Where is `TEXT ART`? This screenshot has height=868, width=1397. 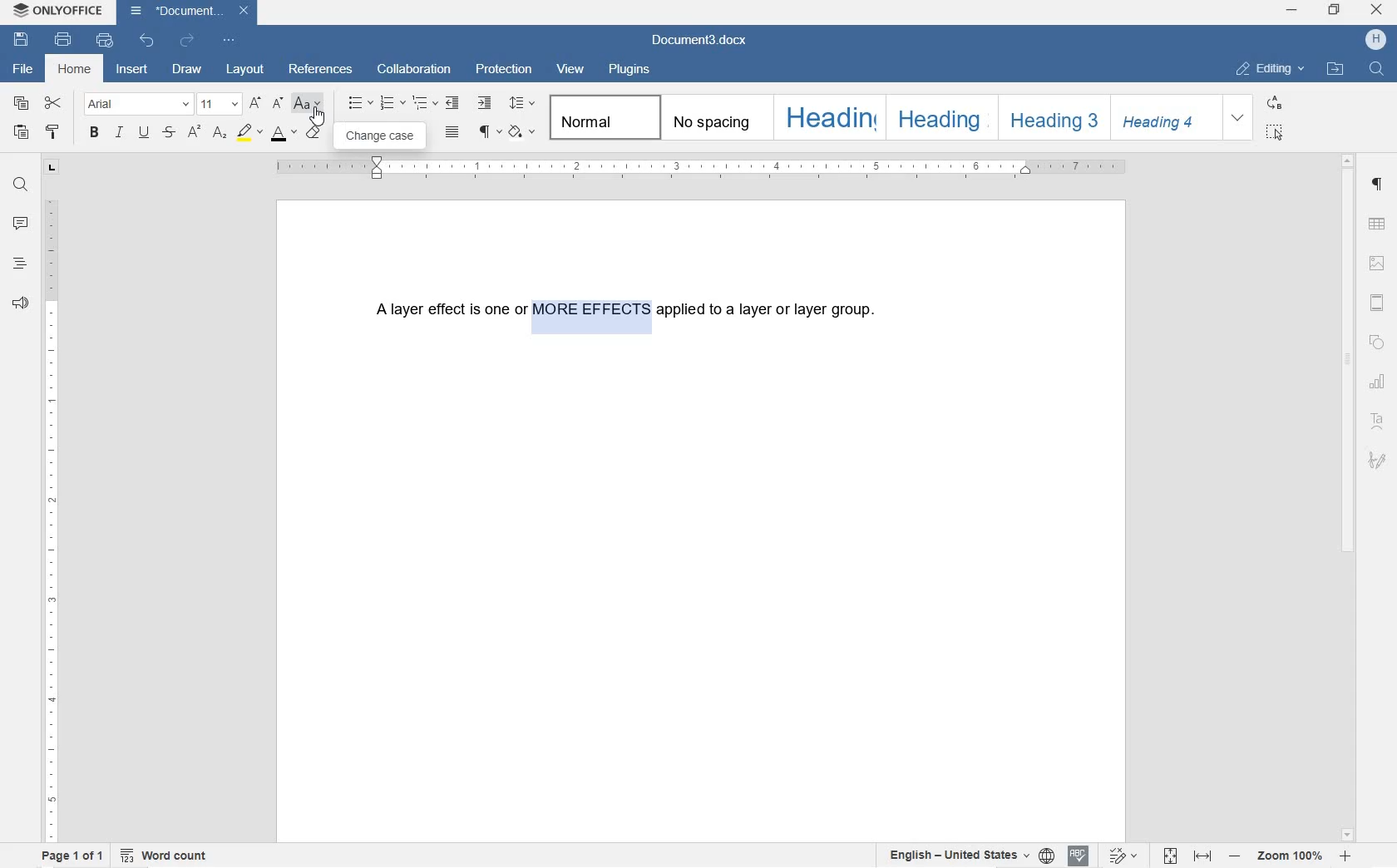 TEXT ART is located at coordinates (1379, 420).